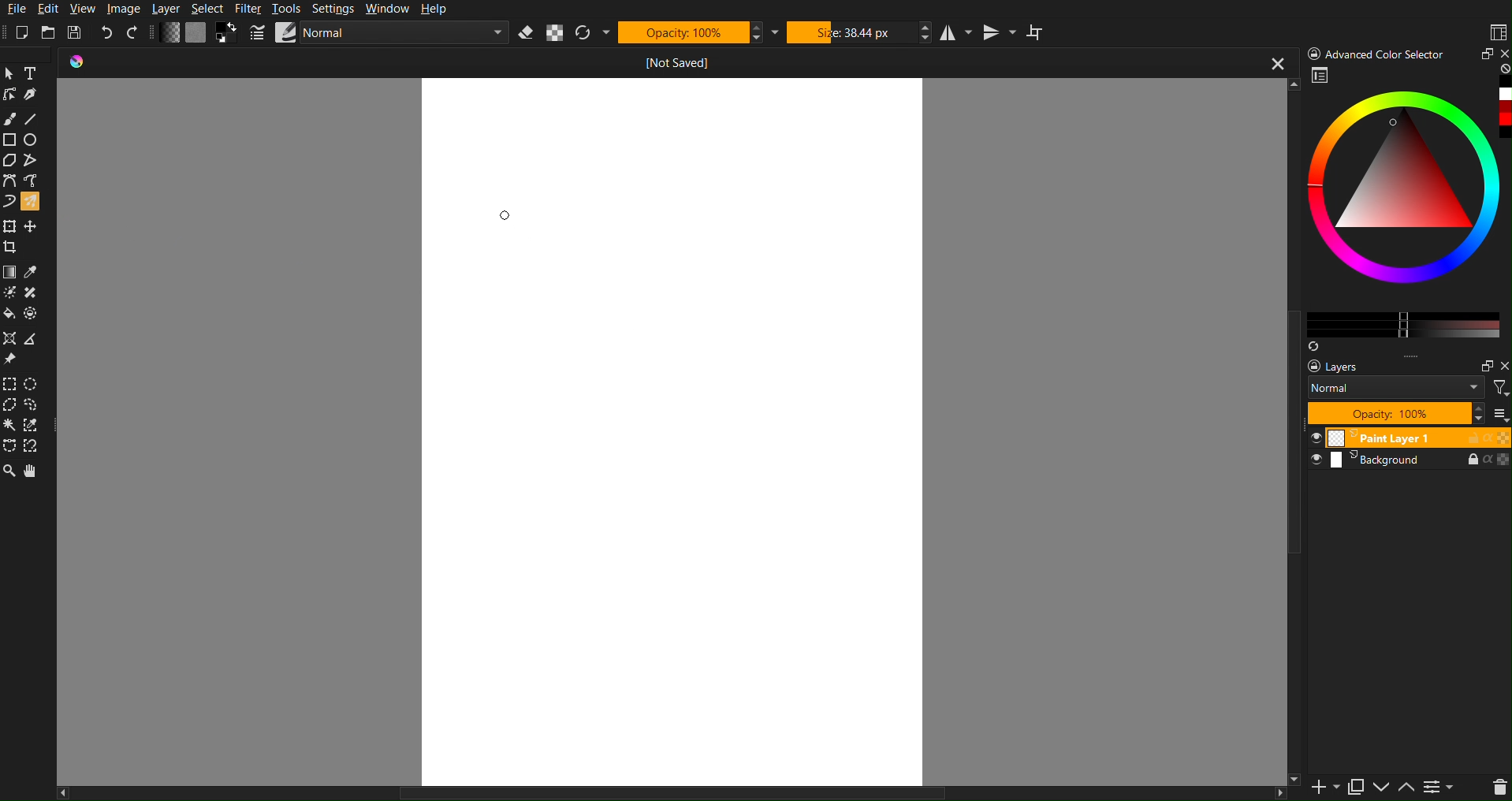  Describe the element at coordinates (440, 9) in the screenshot. I see `Help` at that location.